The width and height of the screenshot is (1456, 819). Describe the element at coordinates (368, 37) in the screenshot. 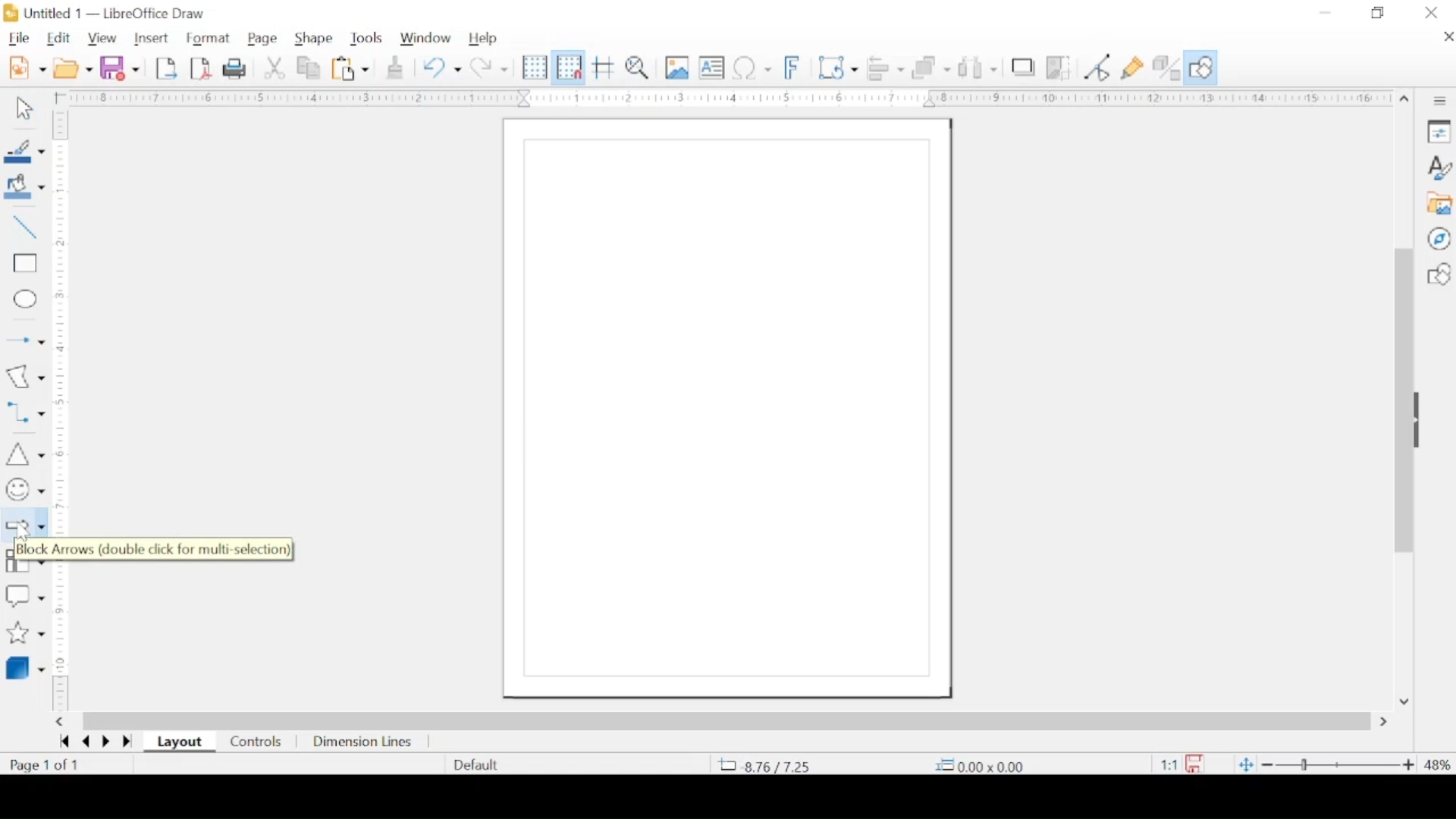

I see `tools` at that location.